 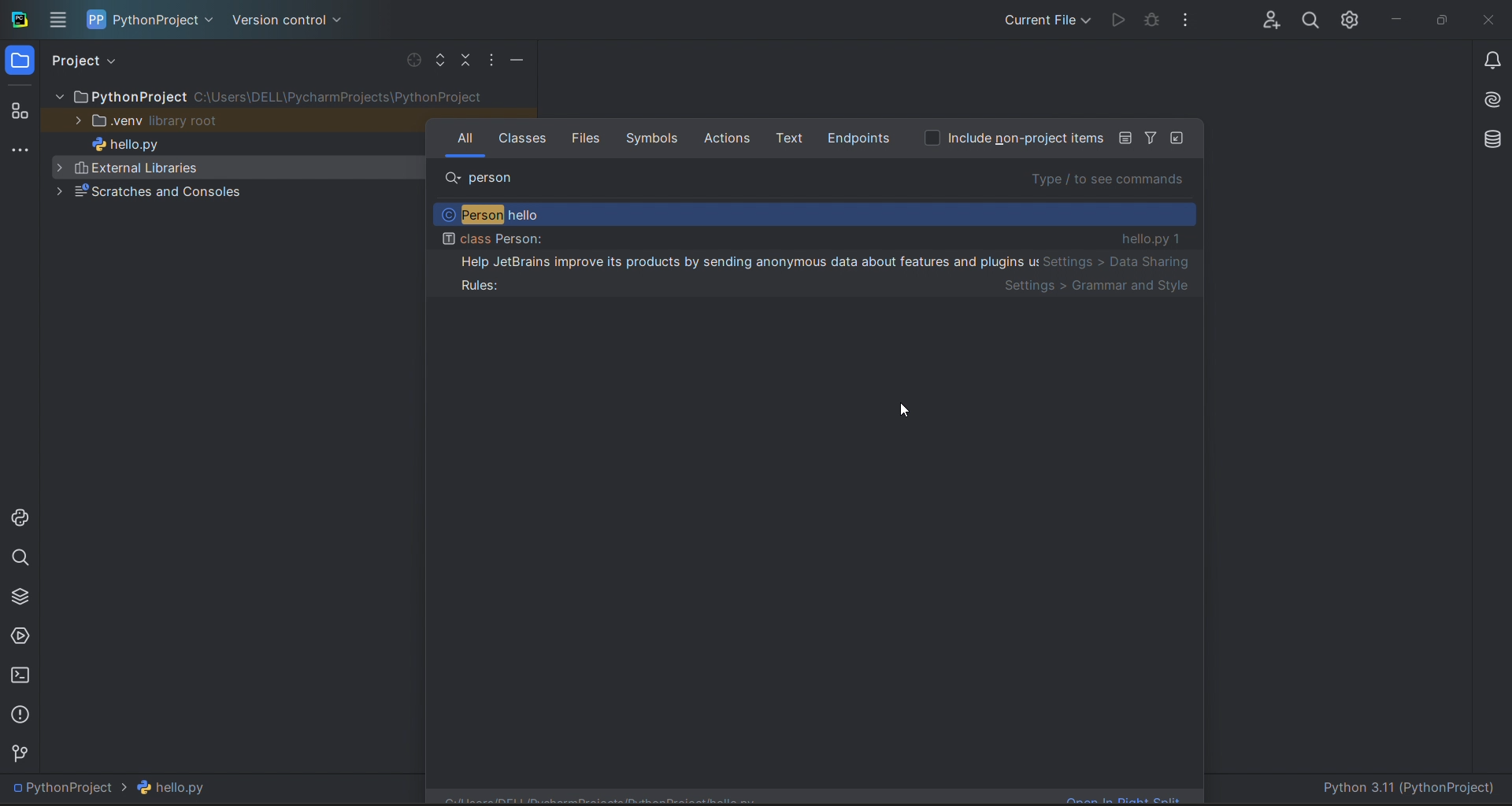 I want to click on .venu, so click(x=236, y=120).